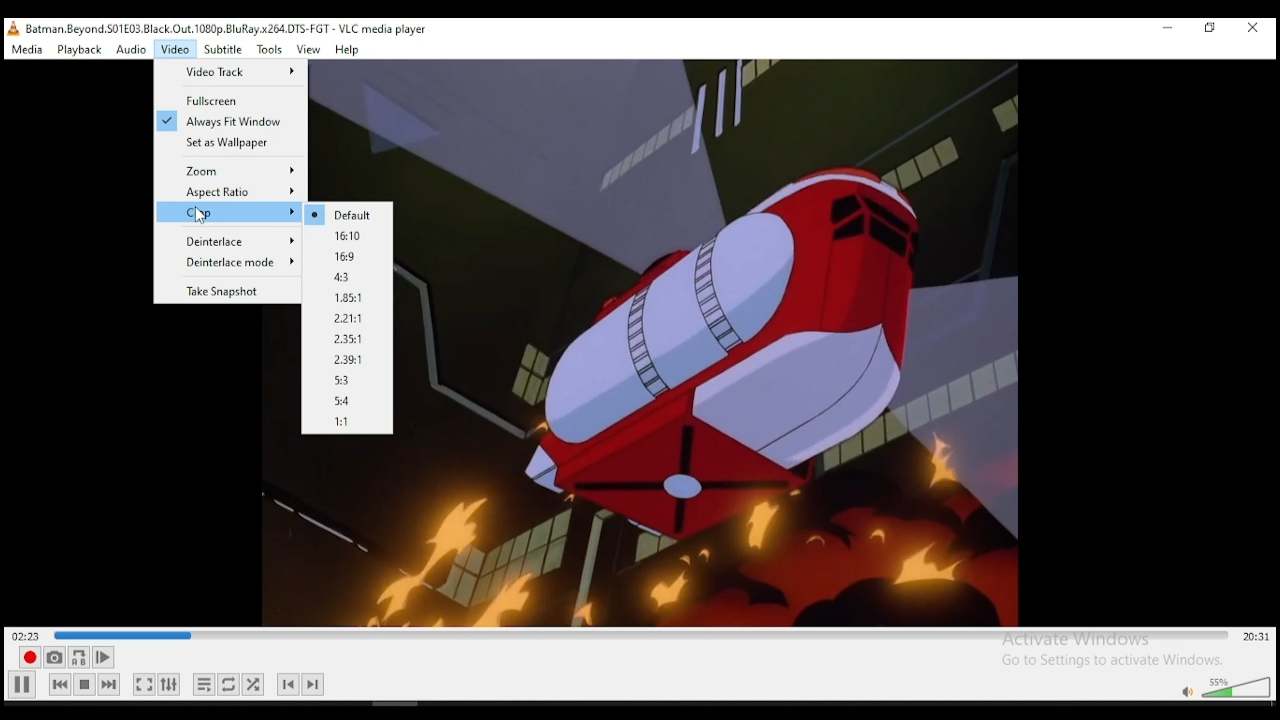 Image resolution: width=1280 pixels, height=720 pixels. Describe the element at coordinates (1184, 690) in the screenshot. I see `mute/unmute` at that location.